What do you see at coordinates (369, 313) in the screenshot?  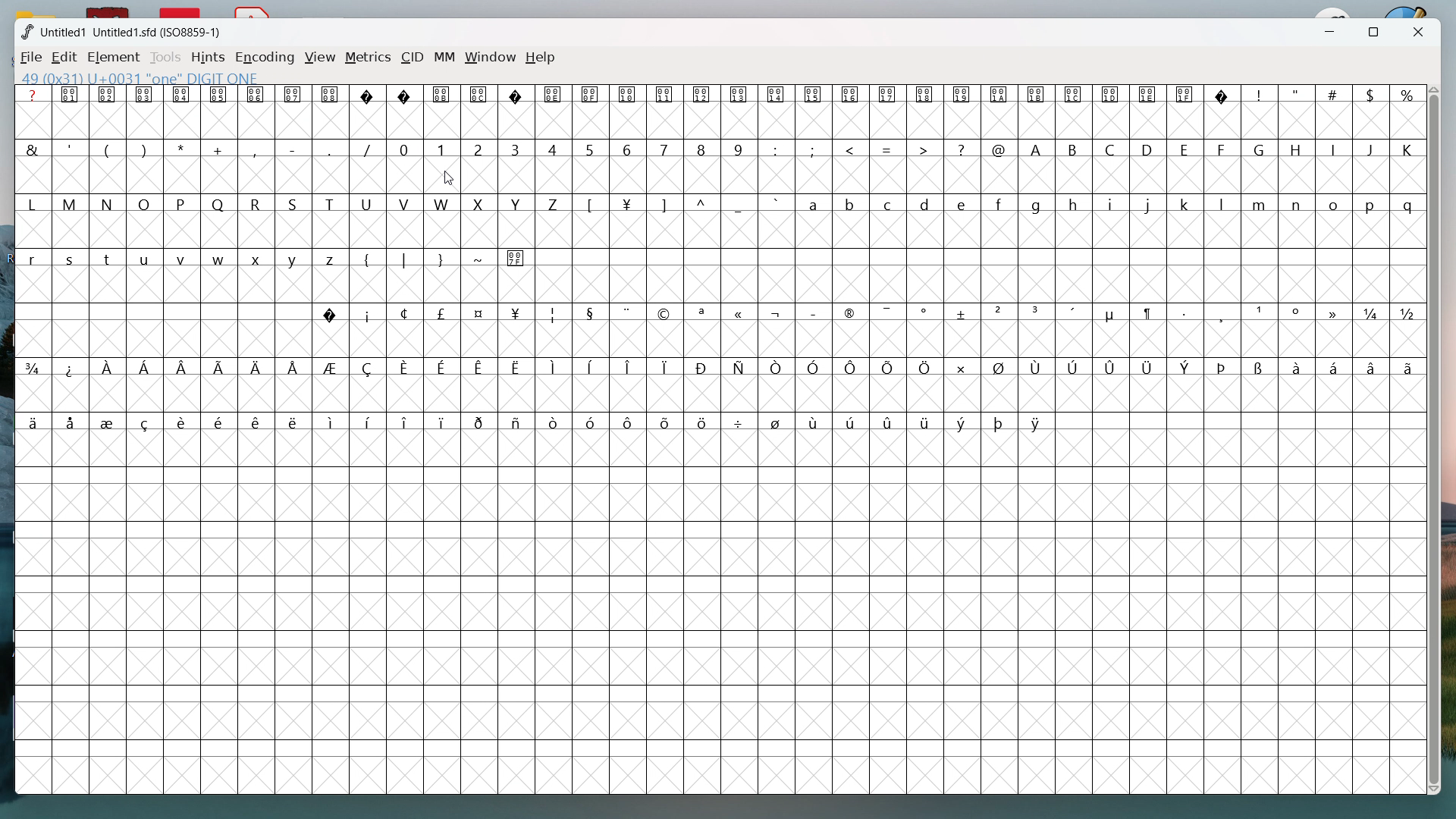 I see `symbol` at bounding box center [369, 313].